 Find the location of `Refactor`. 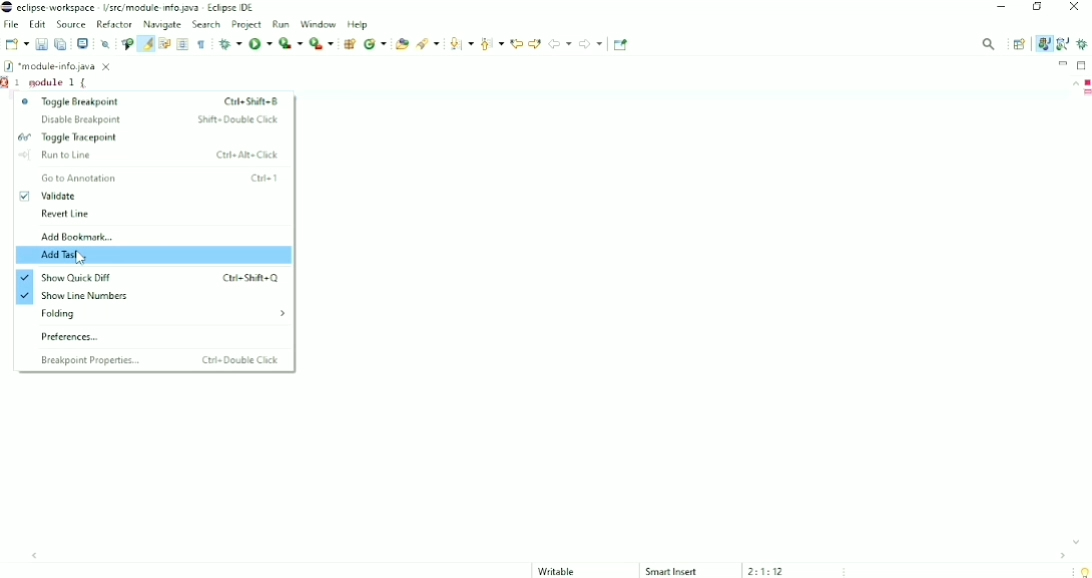

Refactor is located at coordinates (114, 24).